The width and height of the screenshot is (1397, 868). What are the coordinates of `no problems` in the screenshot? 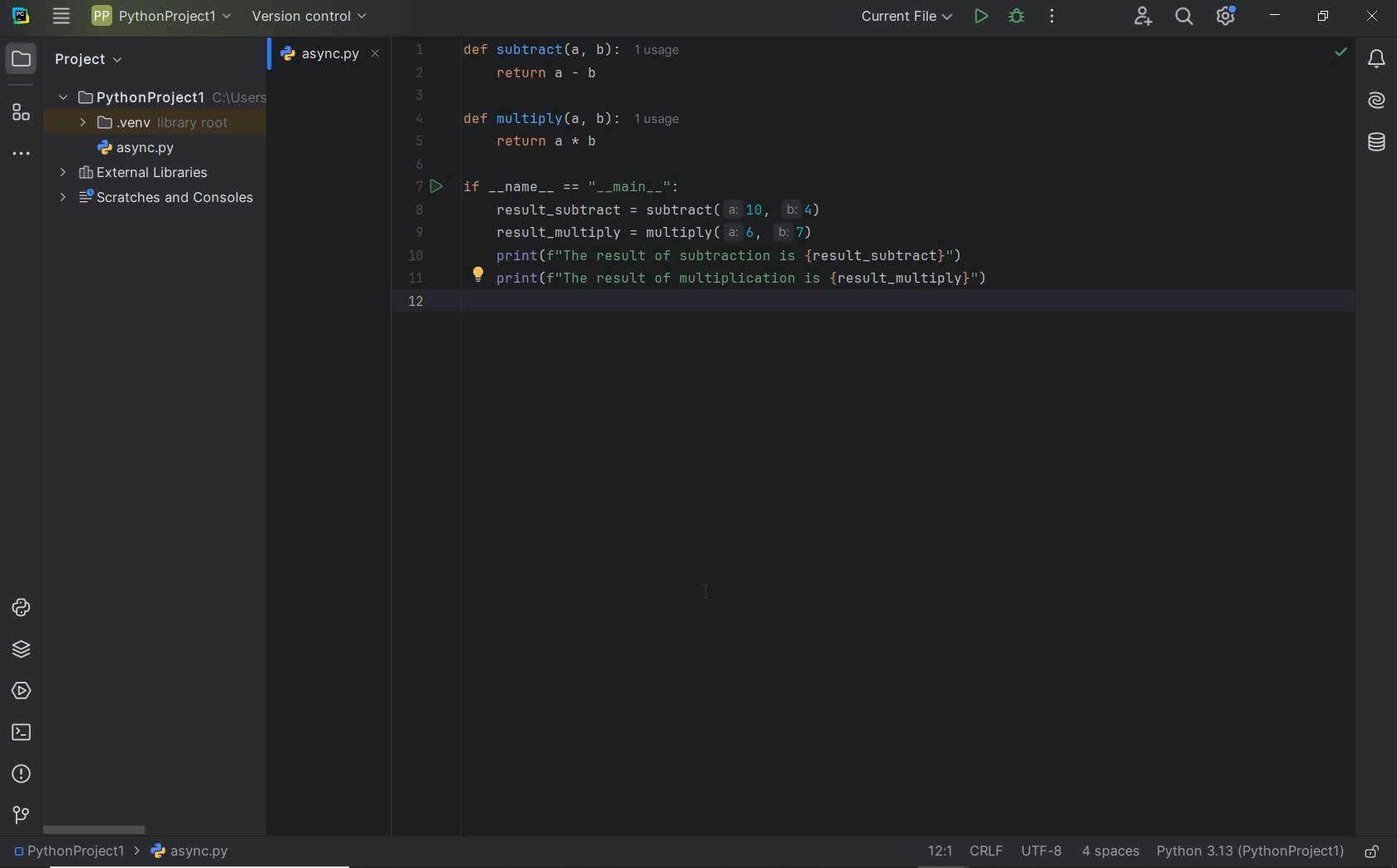 It's located at (1340, 52).